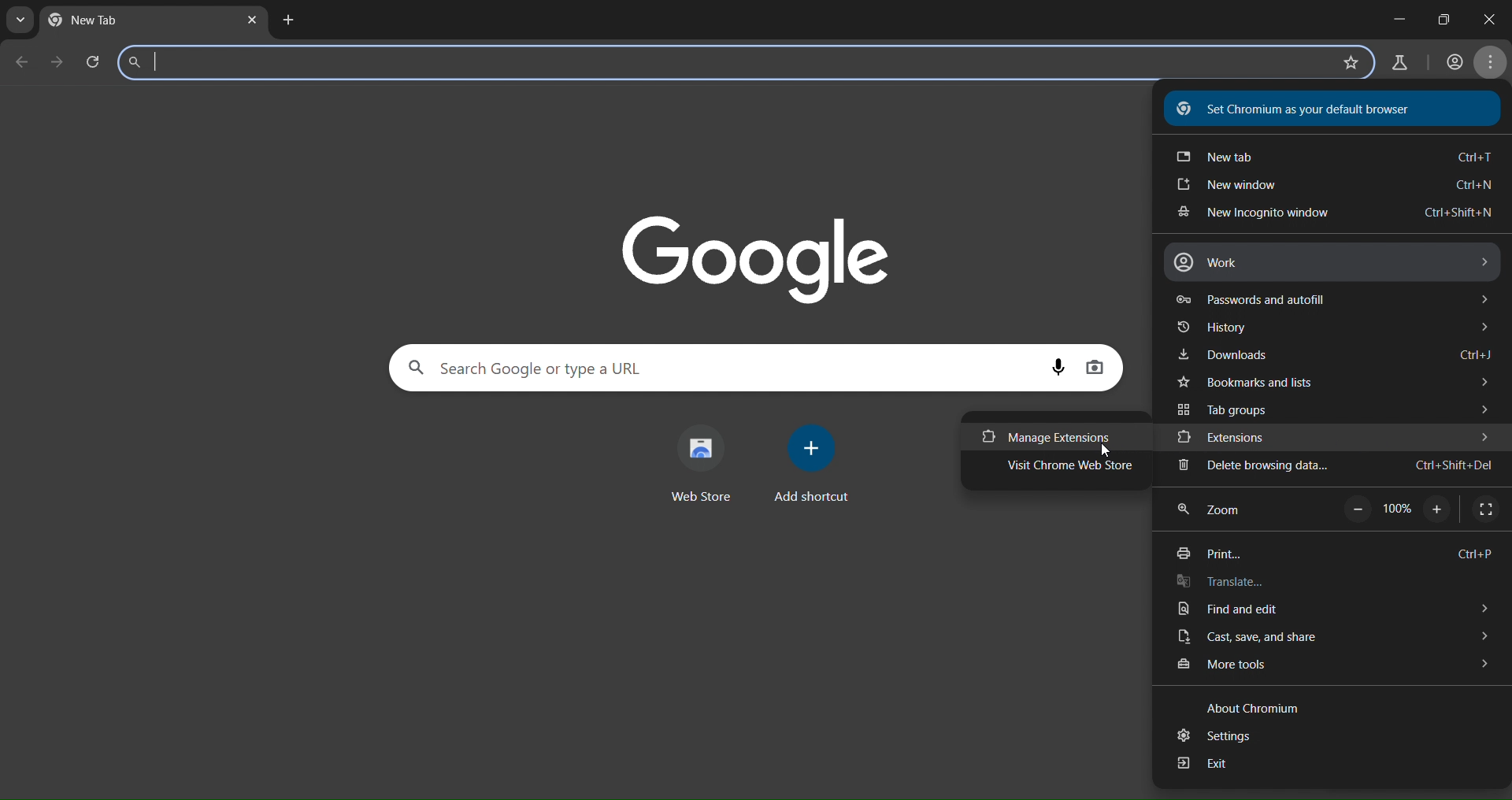  What do you see at coordinates (1329, 111) in the screenshot?
I see `set chromium as yr default browser` at bounding box center [1329, 111].